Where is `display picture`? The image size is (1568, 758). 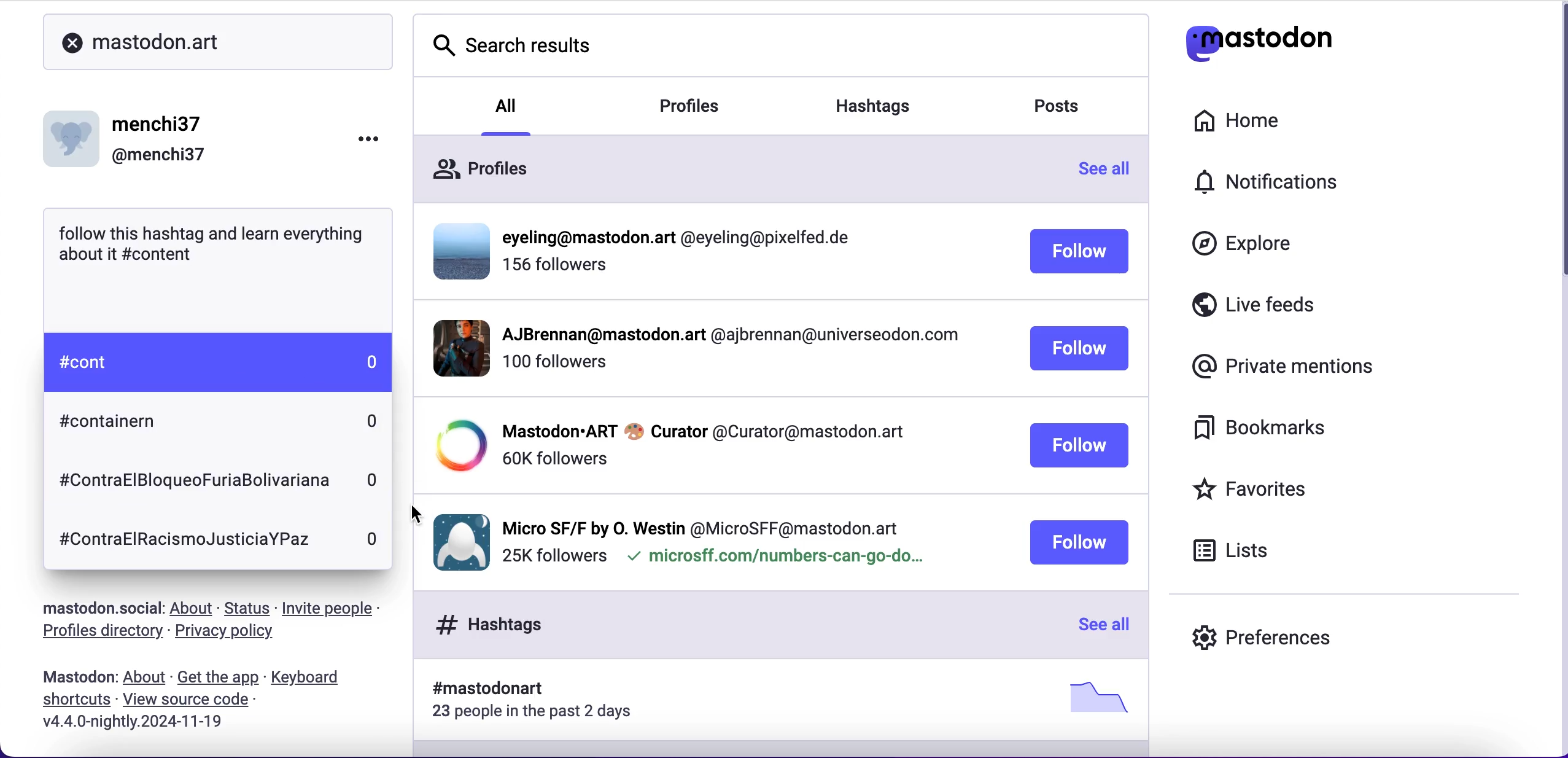
display picture is located at coordinates (457, 249).